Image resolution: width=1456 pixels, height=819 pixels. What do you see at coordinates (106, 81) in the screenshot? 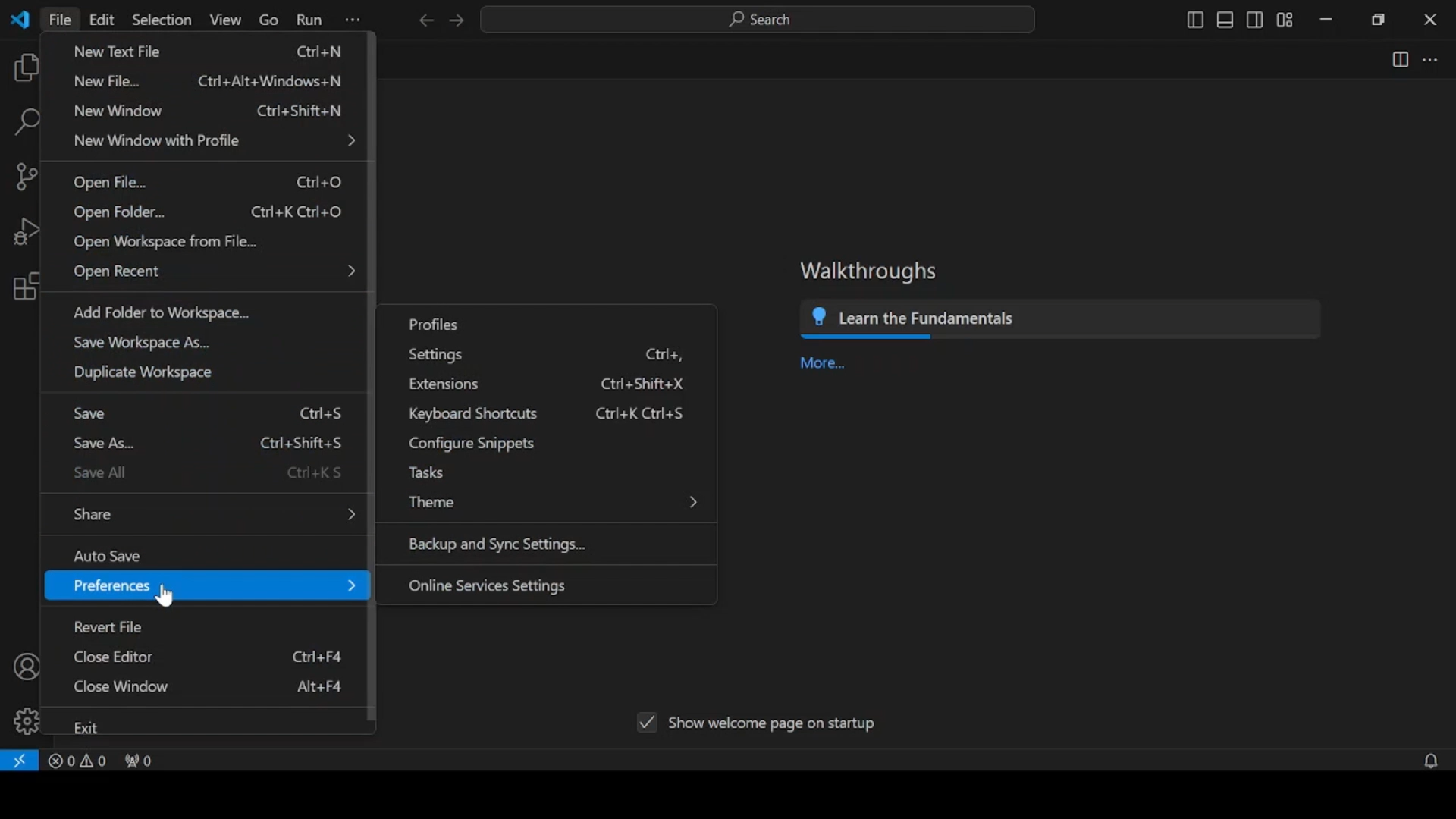
I see `new file` at bounding box center [106, 81].